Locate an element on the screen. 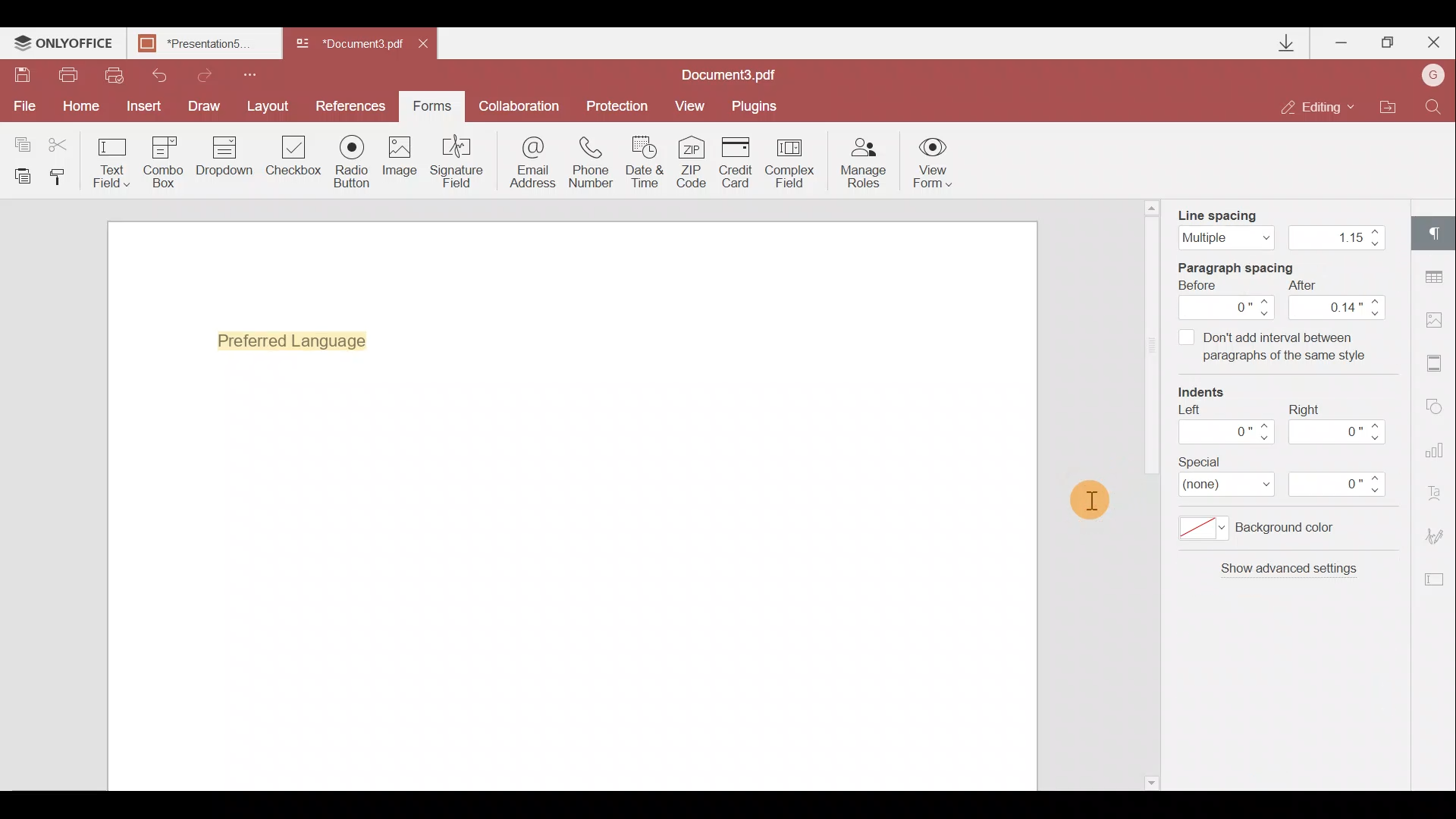  Right is located at coordinates (1298, 406).